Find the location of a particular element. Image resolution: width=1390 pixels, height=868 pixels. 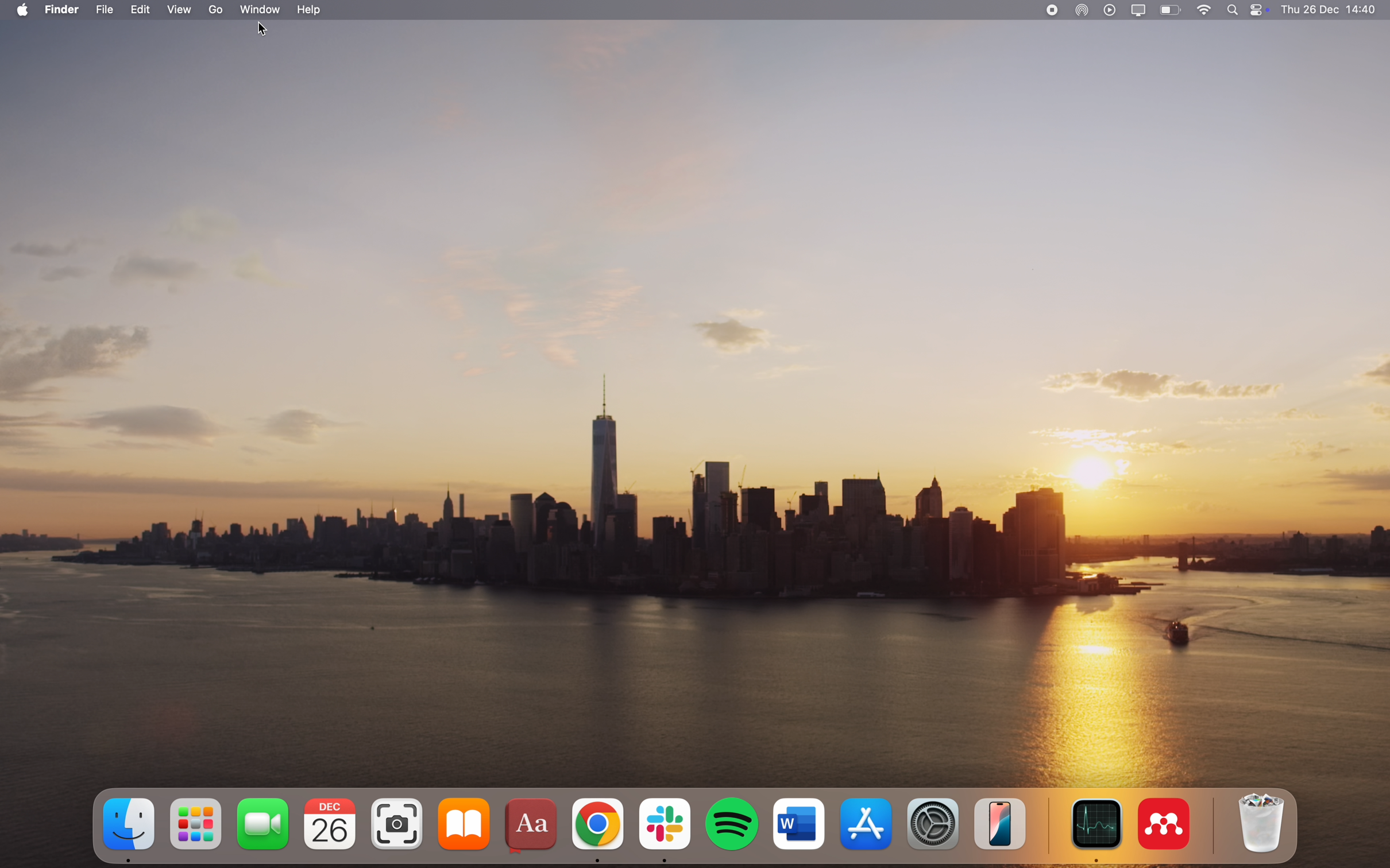

background is located at coordinates (693, 407).